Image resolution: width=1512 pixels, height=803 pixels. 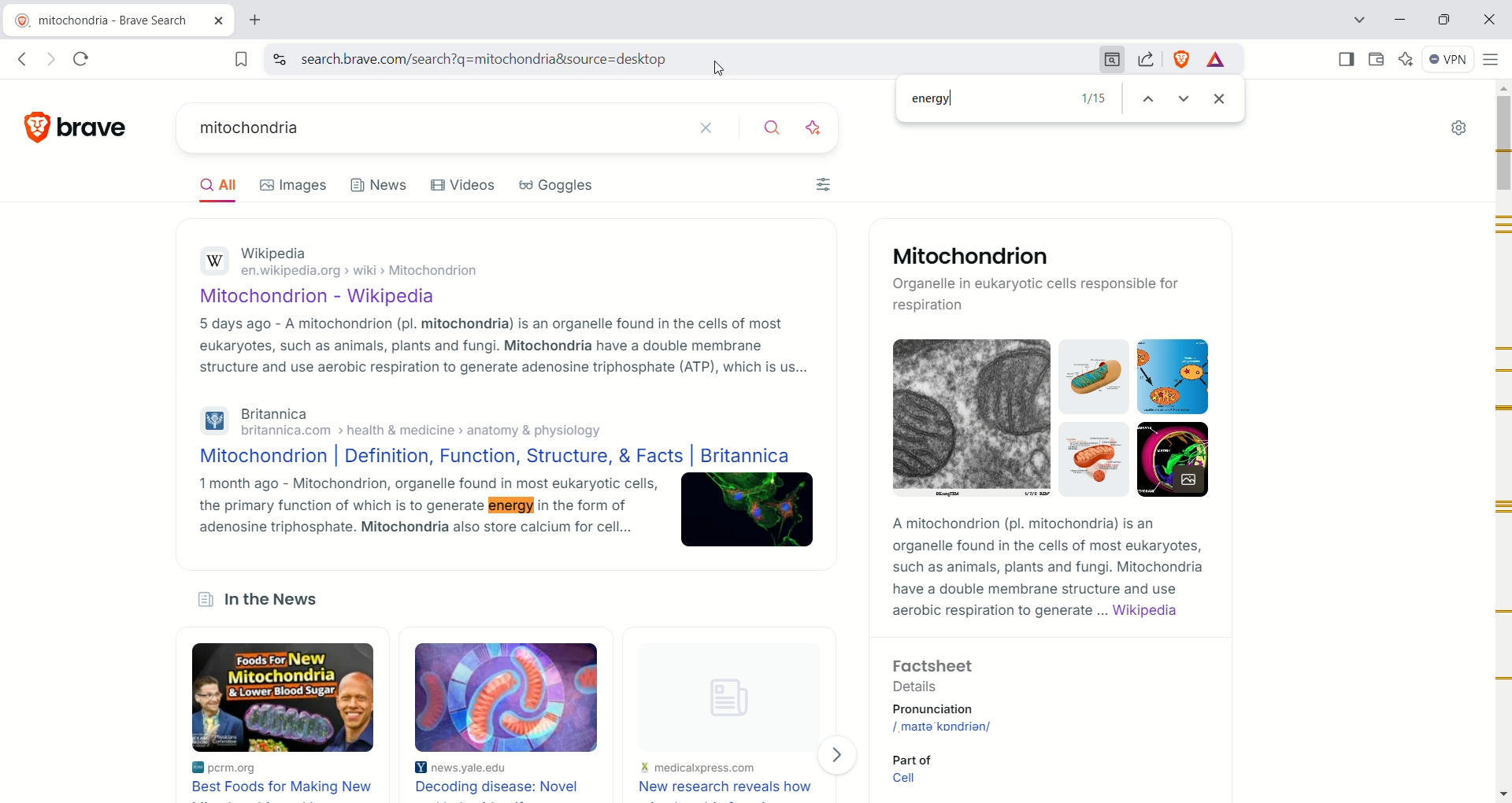 What do you see at coordinates (424, 513) in the screenshot?
I see `1 month ago - Mitochondrion, organelle found in most eukaryotic cells, the primary function of which is to generate energy in the form of adenosine triphosphate. Mitochondria also store calcium for cell...` at bounding box center [424, 513].